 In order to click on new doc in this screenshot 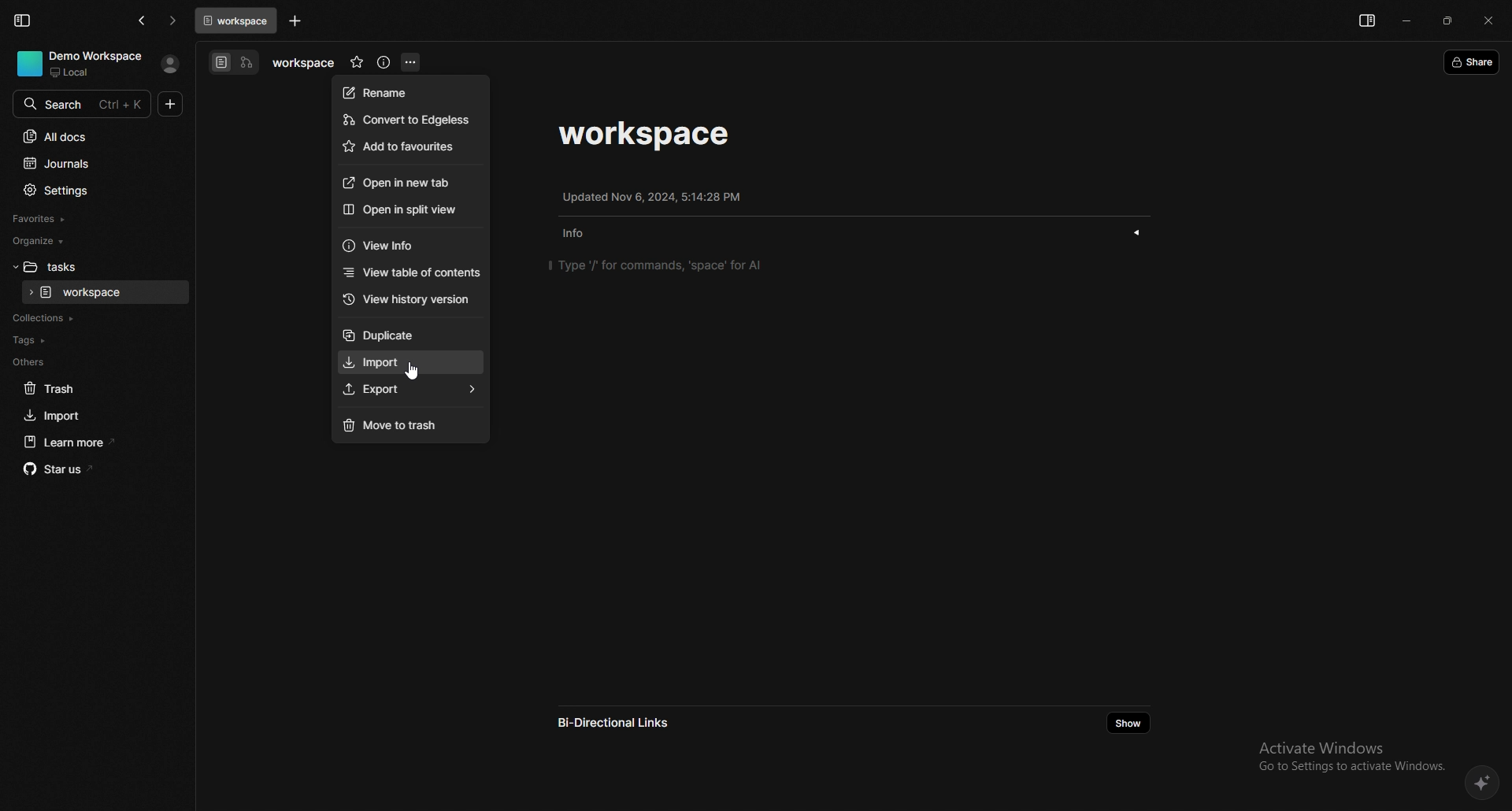, I will do `click(171, 104)`.